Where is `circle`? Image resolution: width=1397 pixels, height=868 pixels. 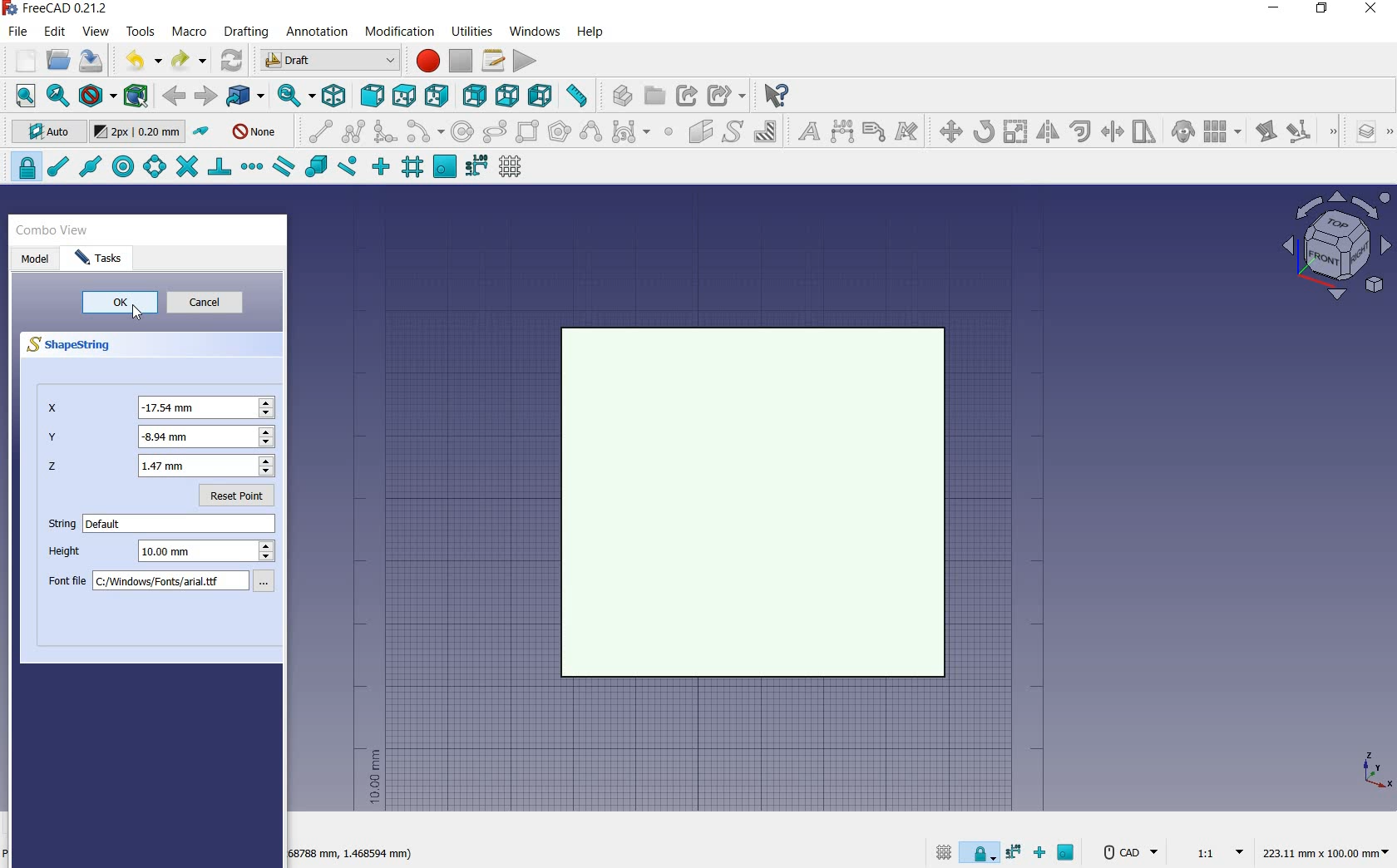
circle is located at coordinates (463, 132).